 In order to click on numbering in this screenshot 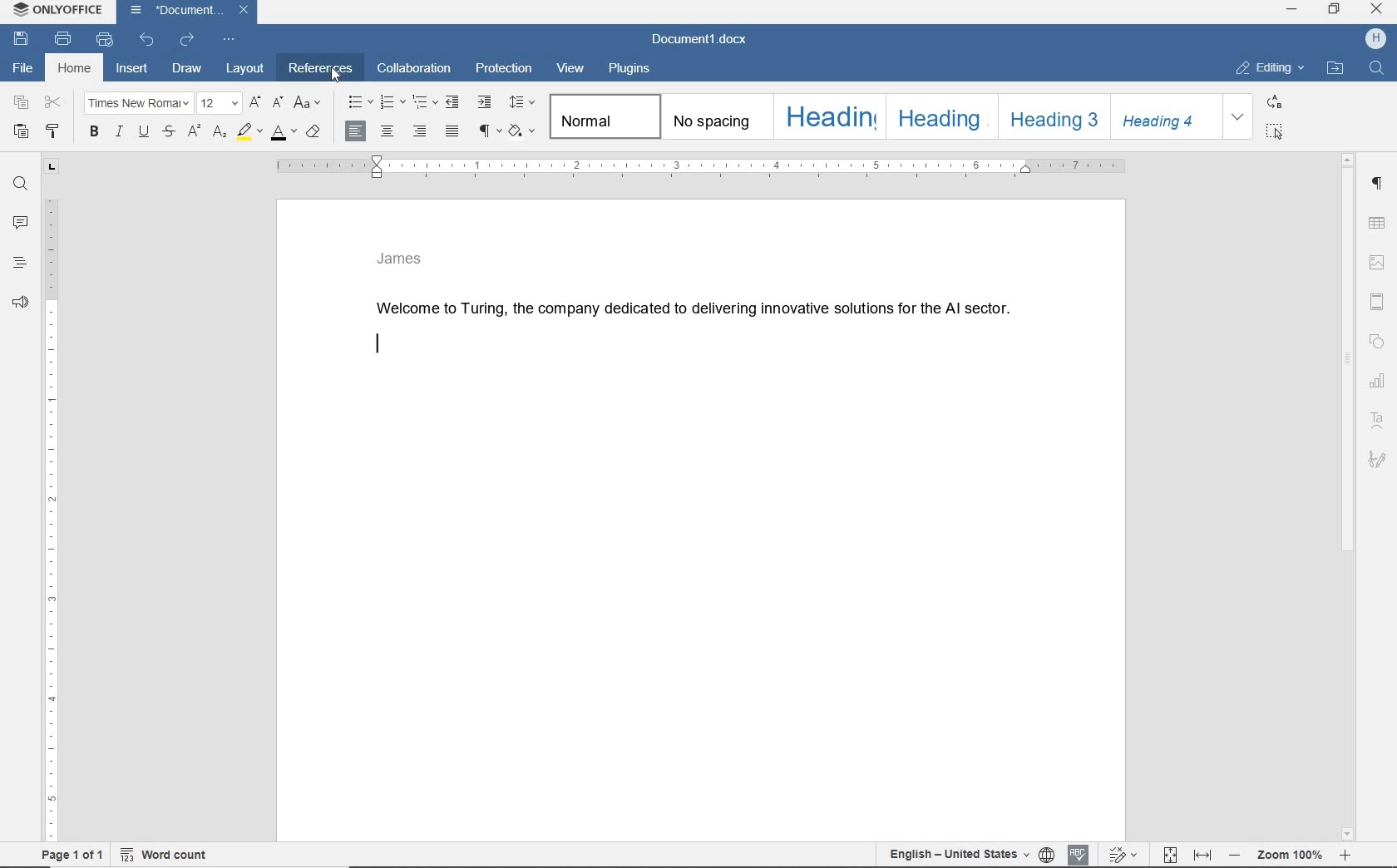, I will do `click(390, 103)`.